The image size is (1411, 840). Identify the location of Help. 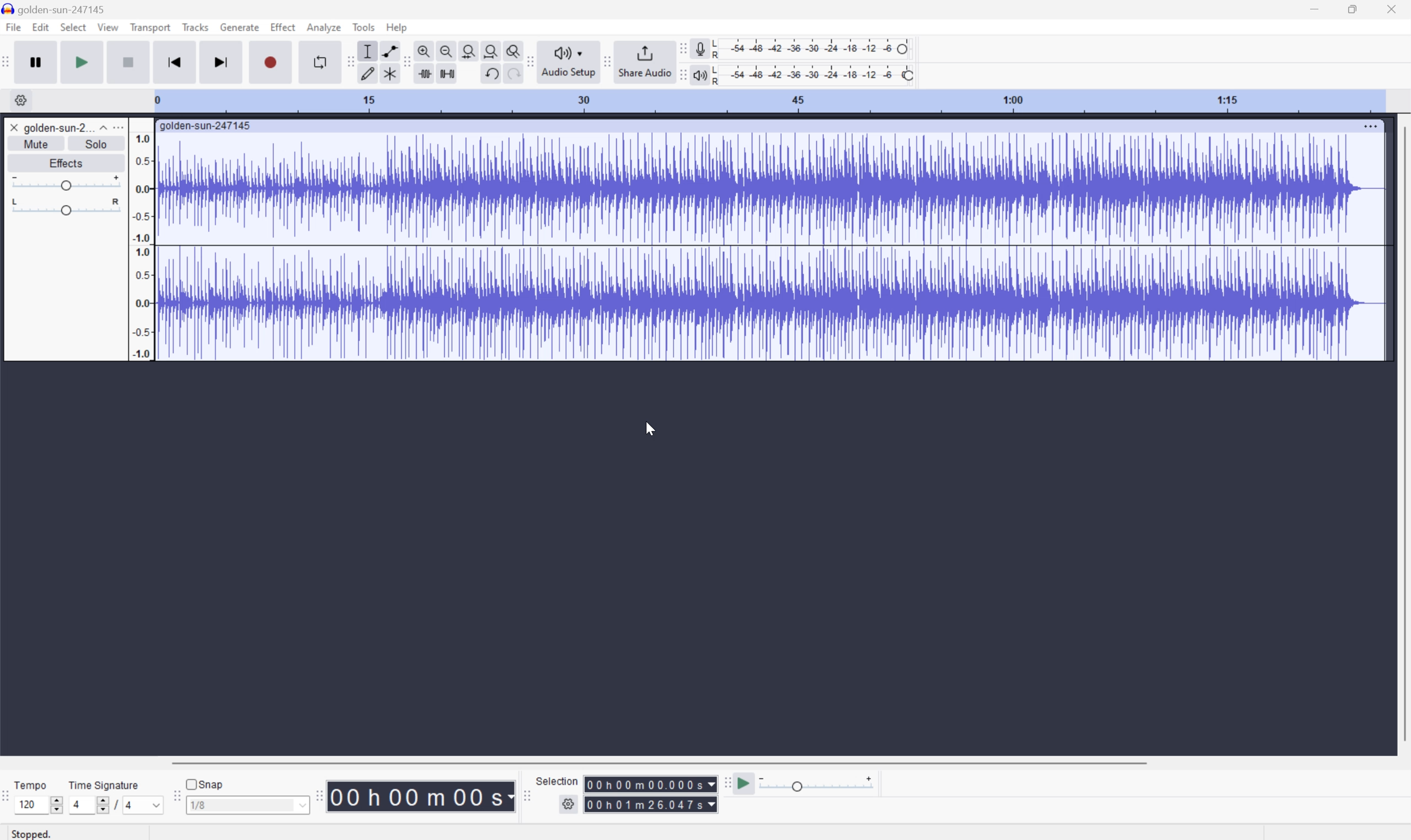
(398, 28).